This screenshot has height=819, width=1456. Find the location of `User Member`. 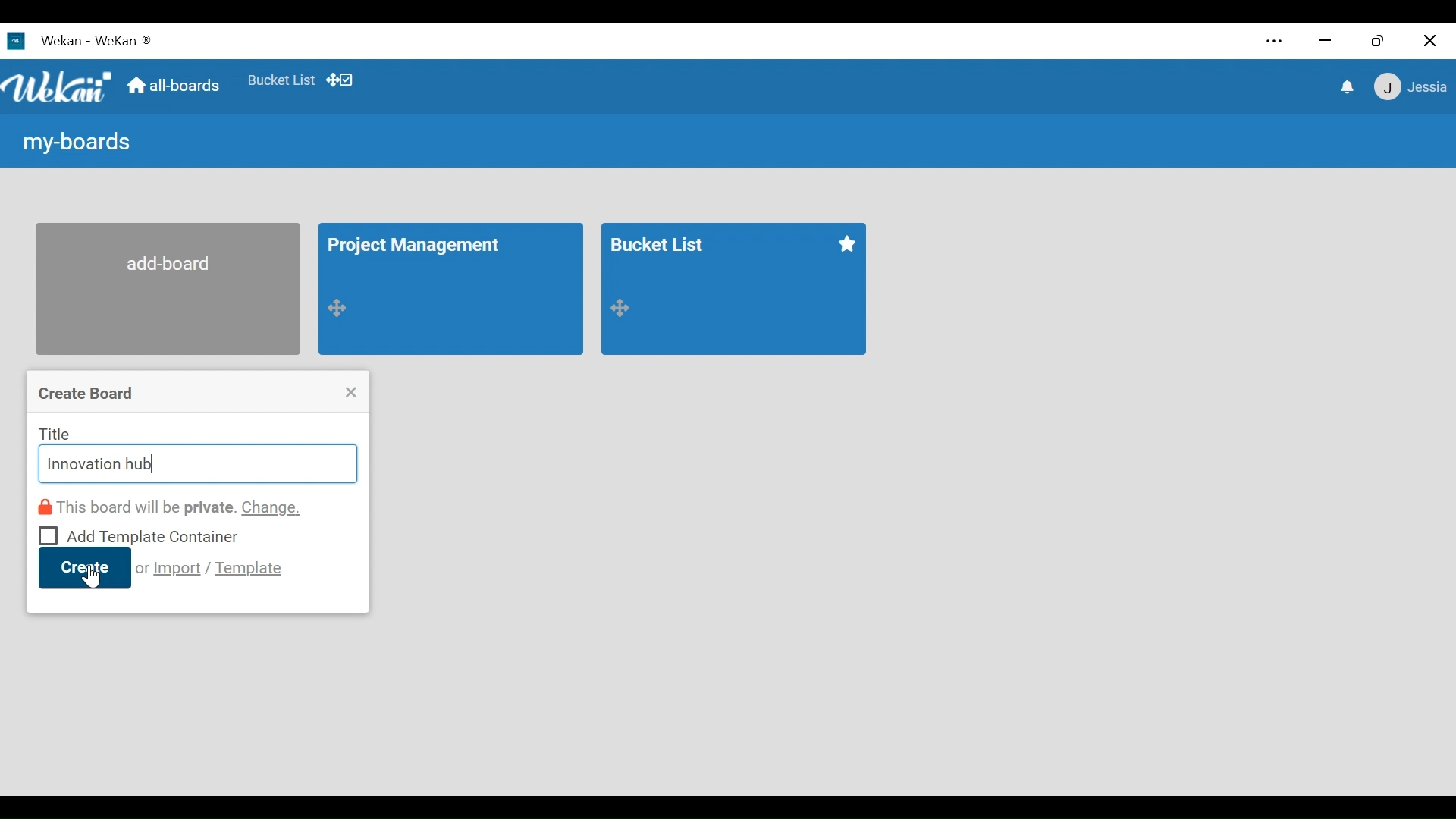

User Member is located at coordinates (1409, 88).